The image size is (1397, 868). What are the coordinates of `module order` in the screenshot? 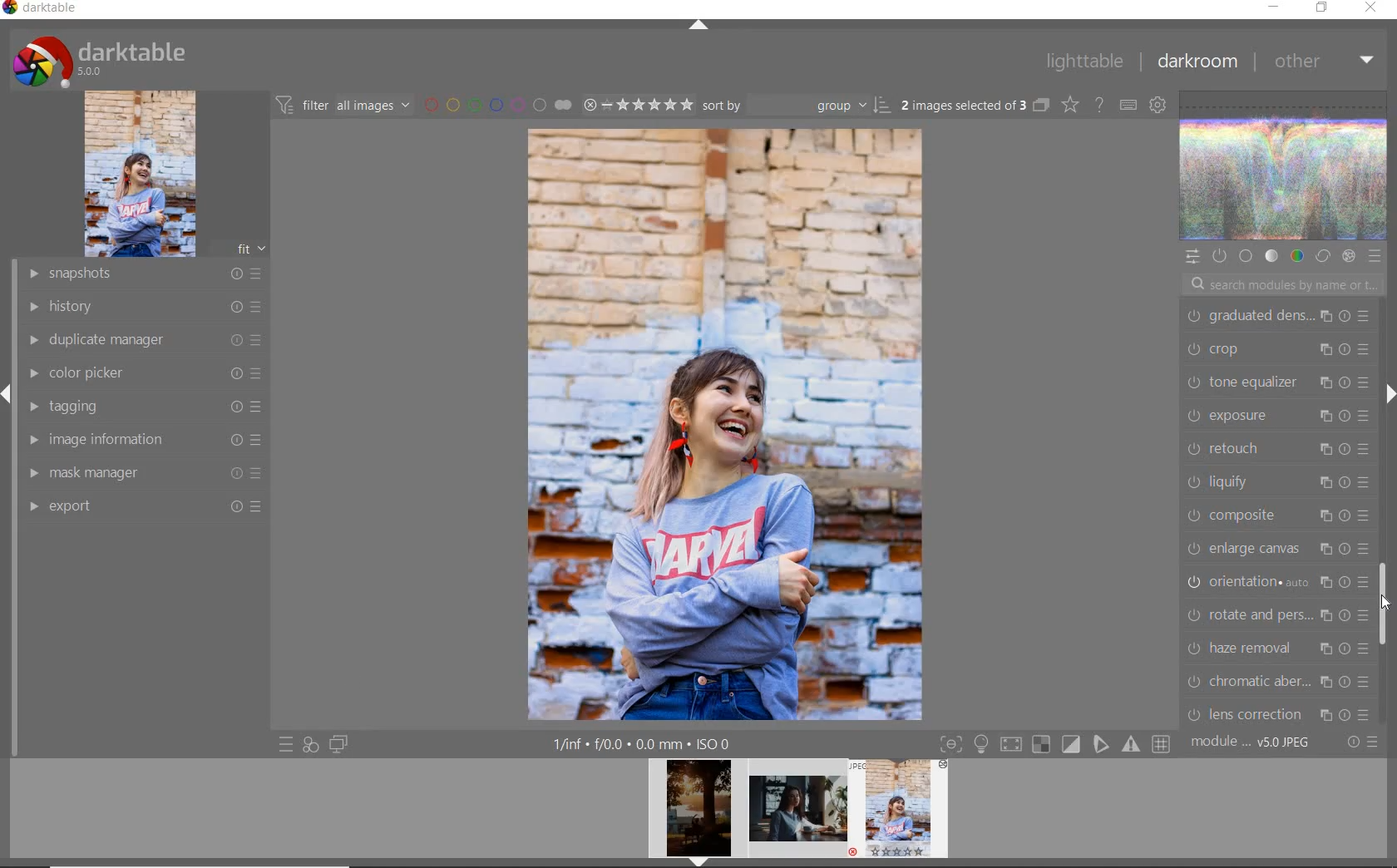 It's located at (1252, 742).